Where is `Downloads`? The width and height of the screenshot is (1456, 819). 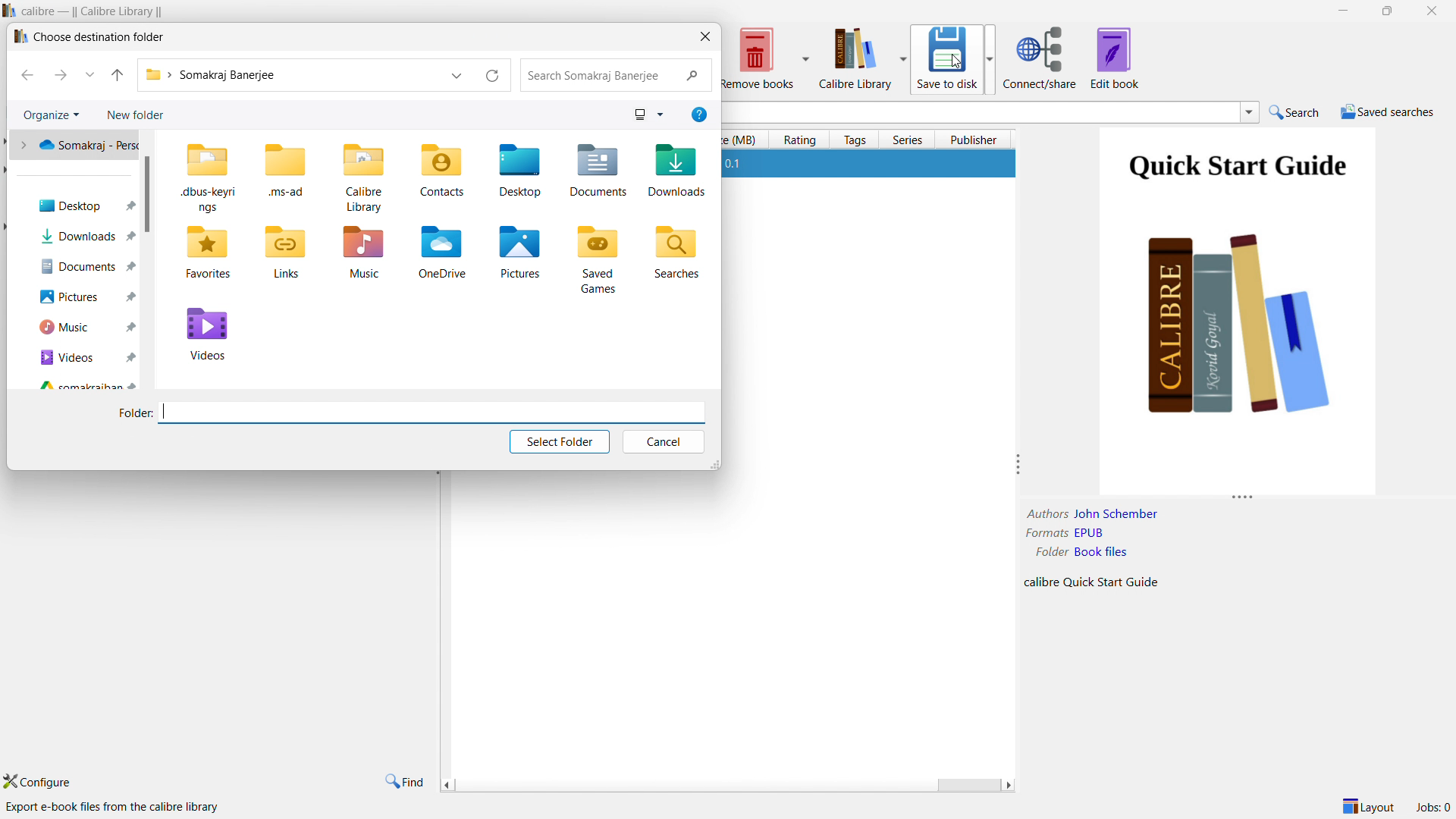 Downloads is located at coordinates (83, 235).